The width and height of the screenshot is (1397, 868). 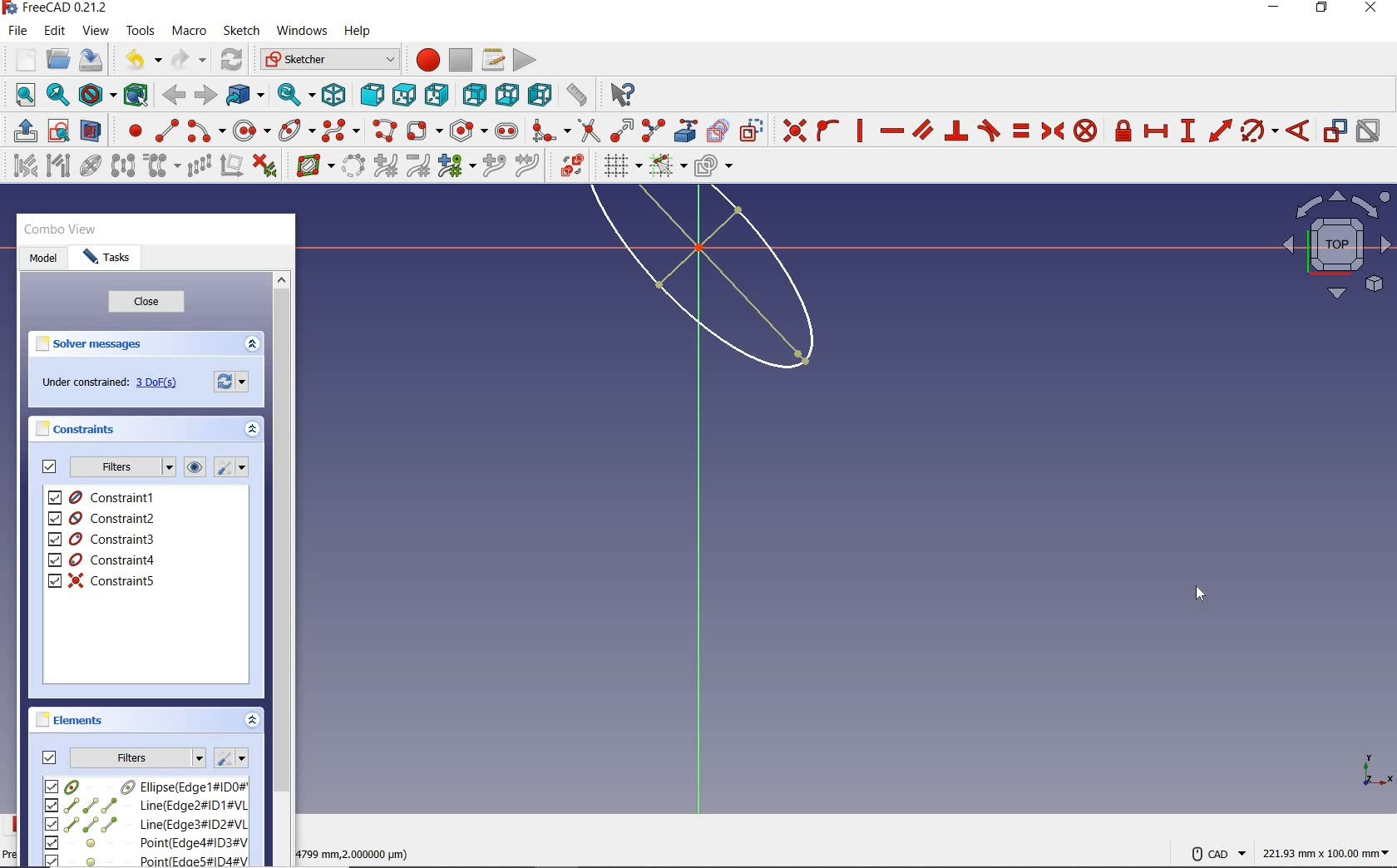 What do you see at coordinates (383, 166) in the screenshot?
I see `increase B-Spline Degree` at bounding box center [383, 166].